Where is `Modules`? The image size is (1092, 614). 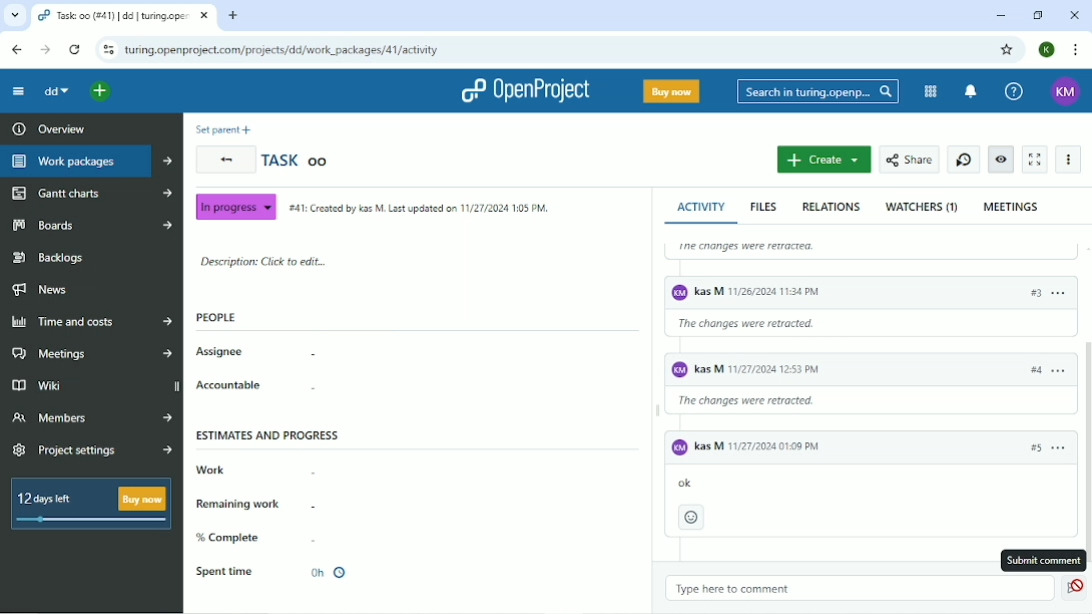 Modules is located at coordinates (931, 92).